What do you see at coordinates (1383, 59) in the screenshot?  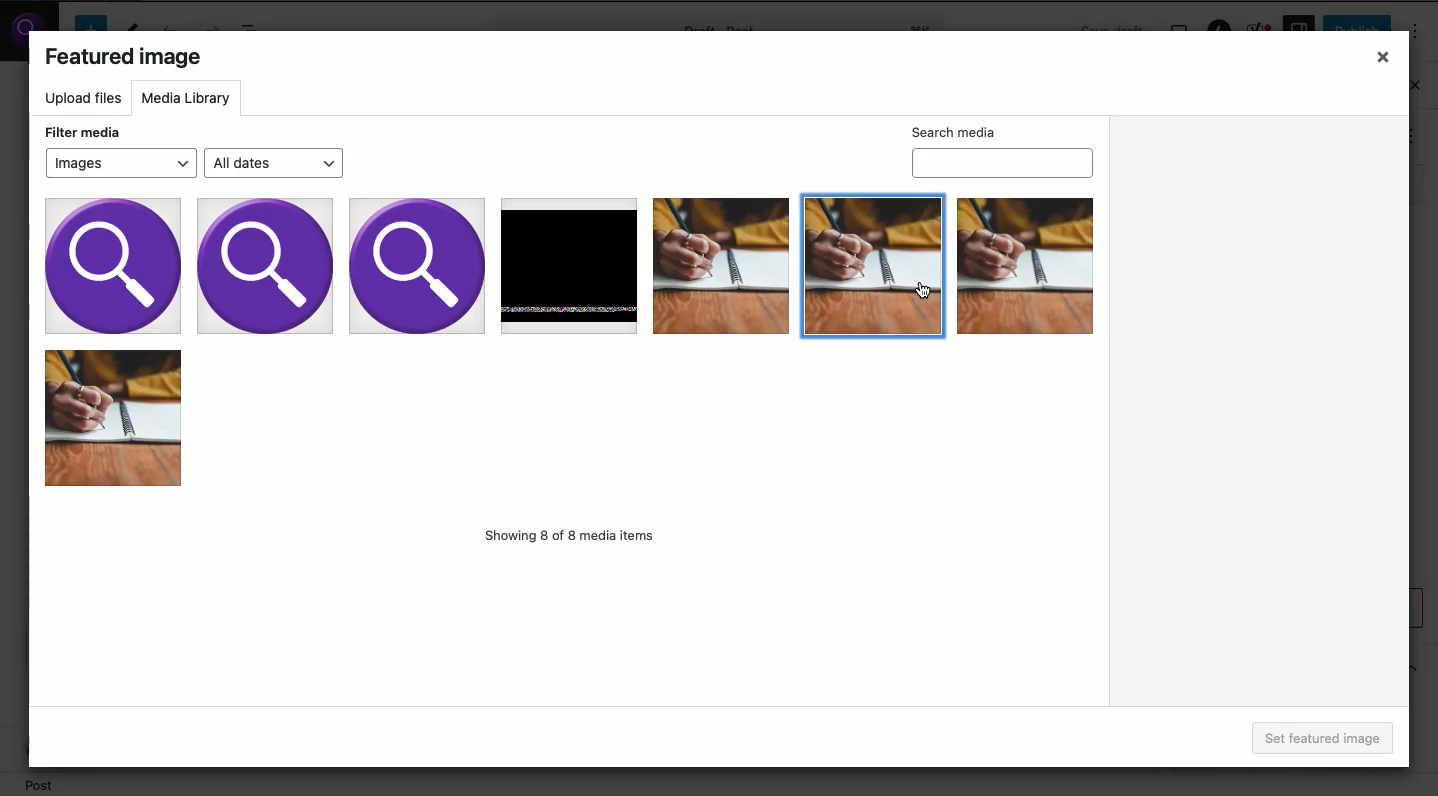 I see `Close` at bounding box center [1383, 59].